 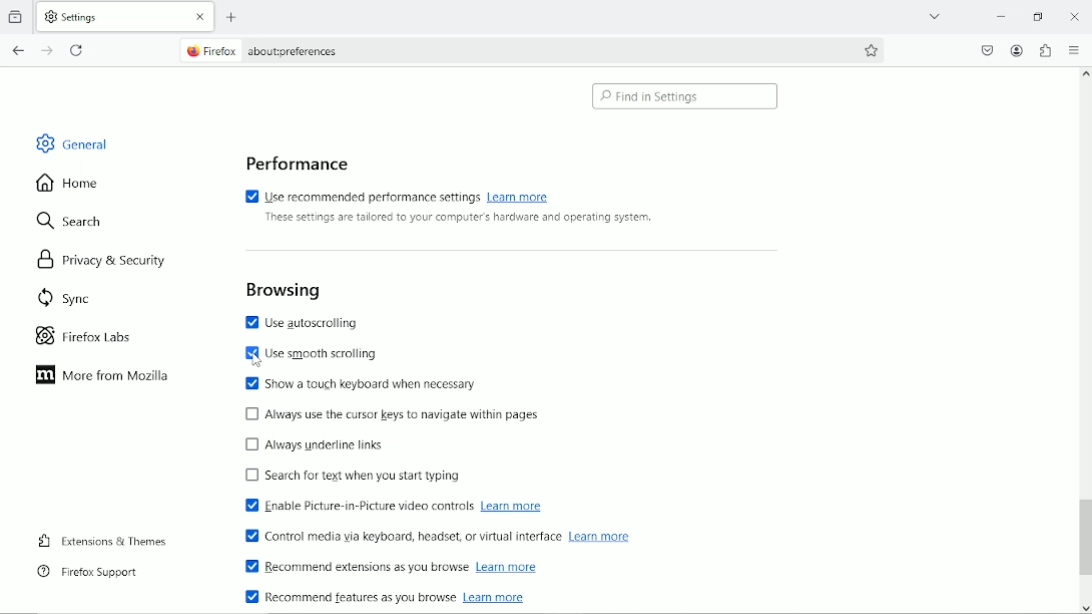 I want to click on Recommend features as you browse, so click(x=350, y=596).